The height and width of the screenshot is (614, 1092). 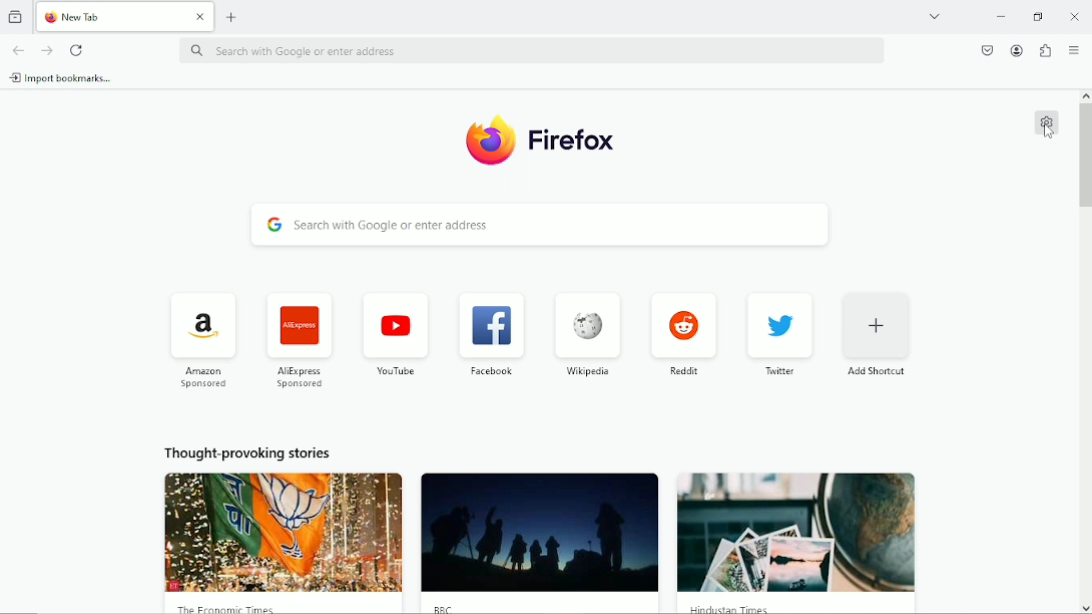 What do you see at coordinates (1074, 15) in the screenshot?
I see `Close` at bounding box center [1074, 15].